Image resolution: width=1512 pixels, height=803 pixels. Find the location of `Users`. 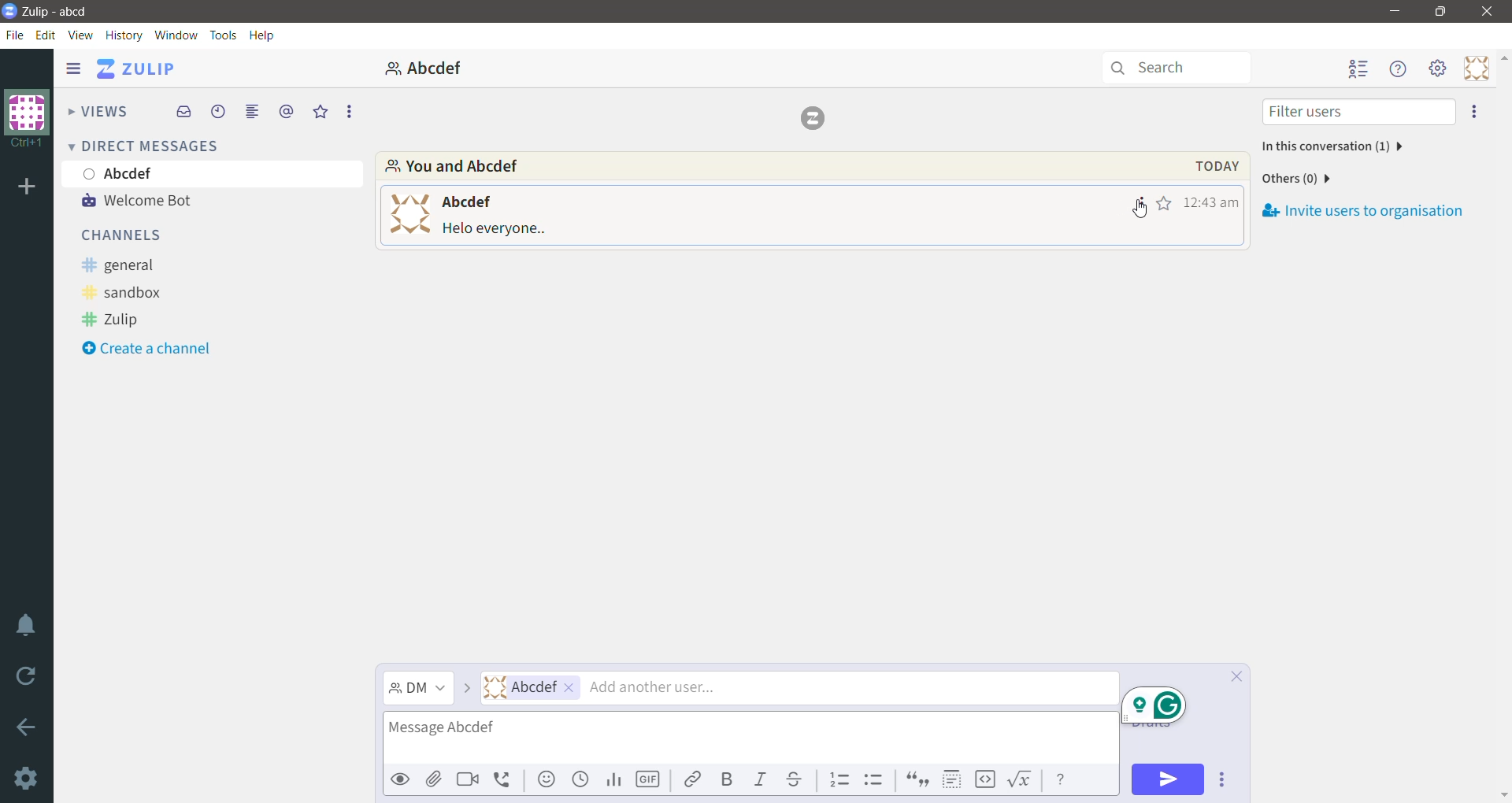

Users is located at coordinates (800, 688).